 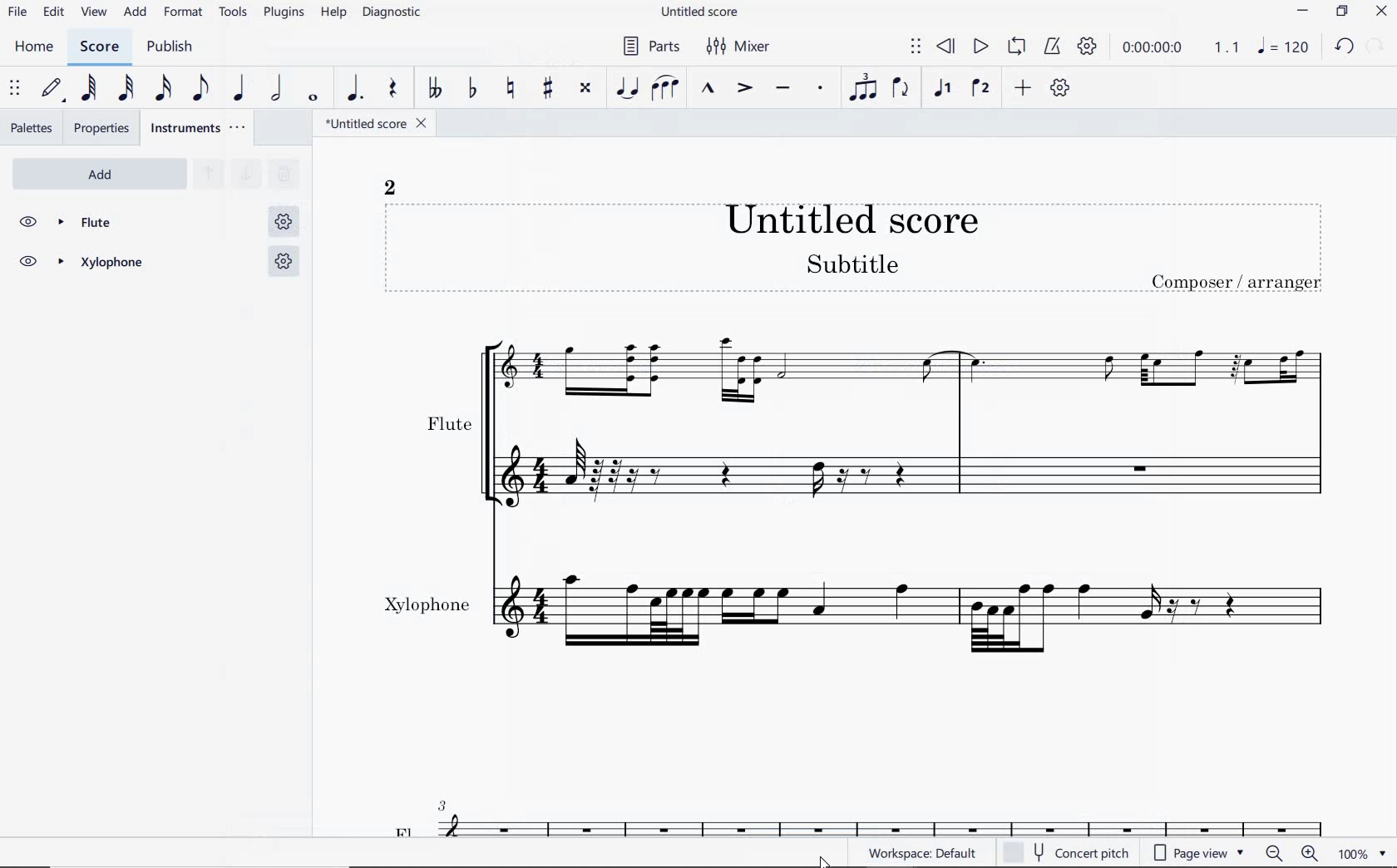 I want to click on 64TH NOTE, so click(x=86, y=89).